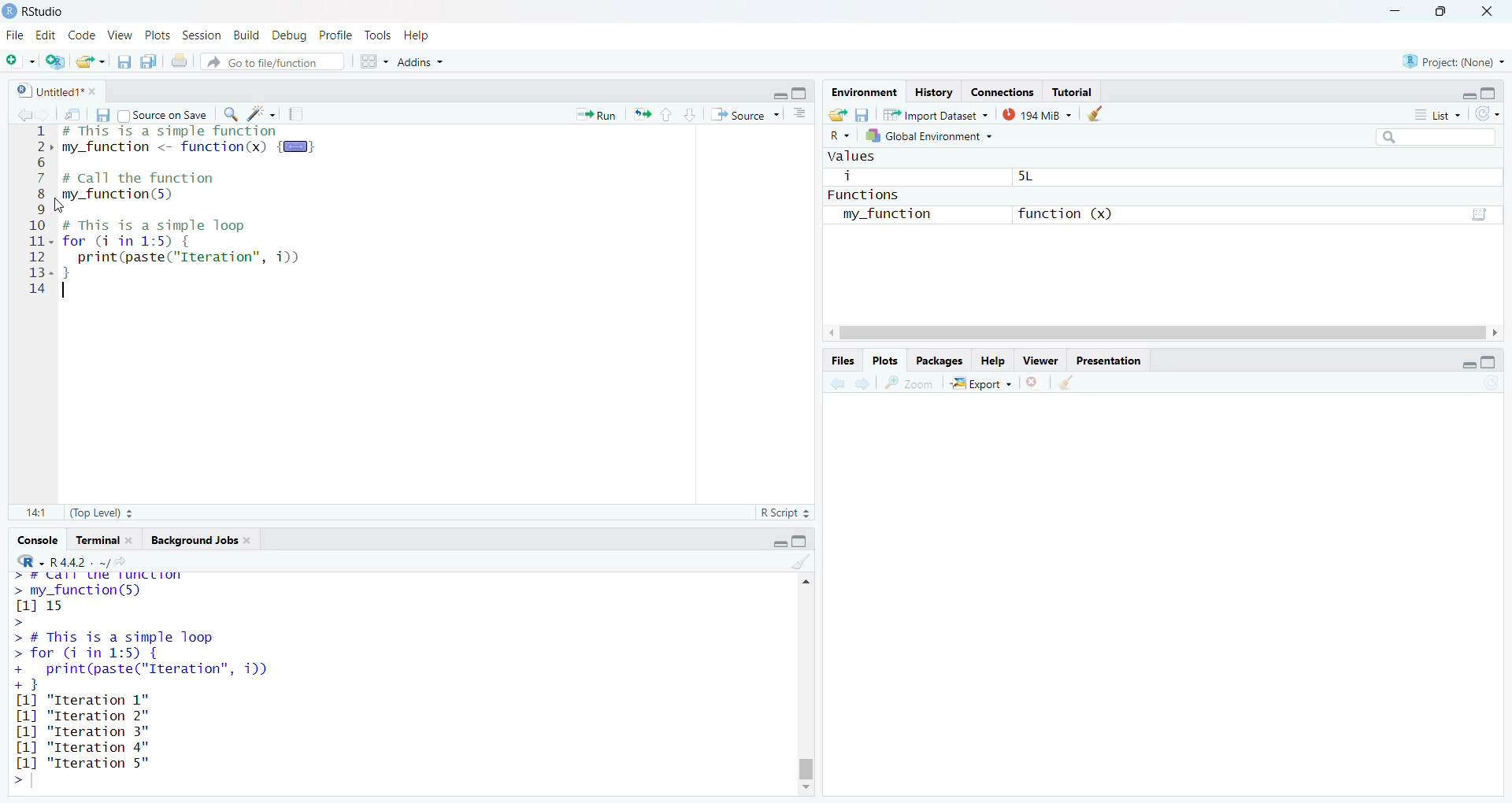  Describe the element at coordinates (253, 542) in the screenshot. I see `close` at that location.